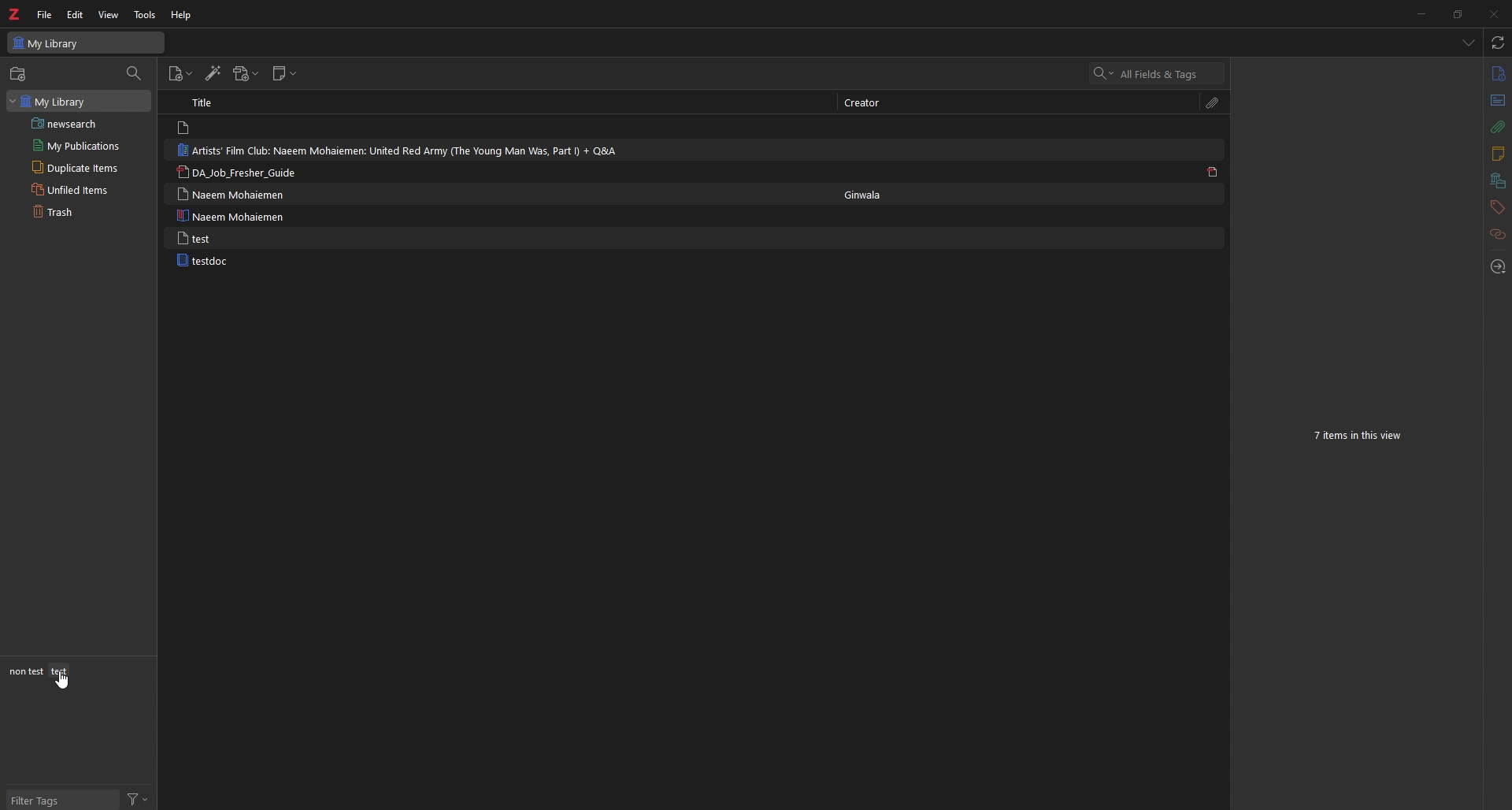 The width and height of the screenshot is (1512, 810). Describe the element at coordinates (108, 15) in the screenshot. I see `view` at that location.